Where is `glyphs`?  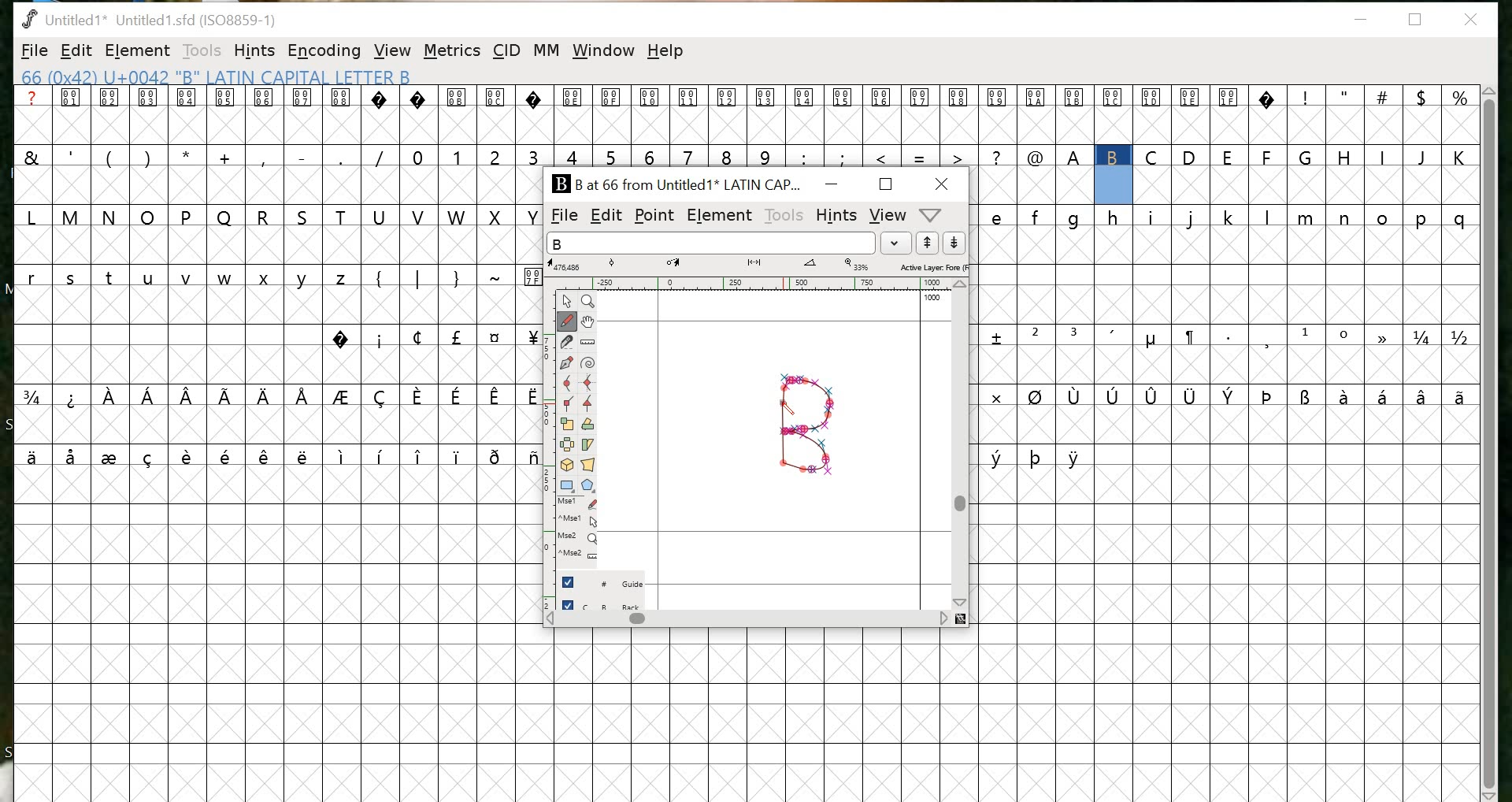
glyphs is located at coordinates (268, 284).